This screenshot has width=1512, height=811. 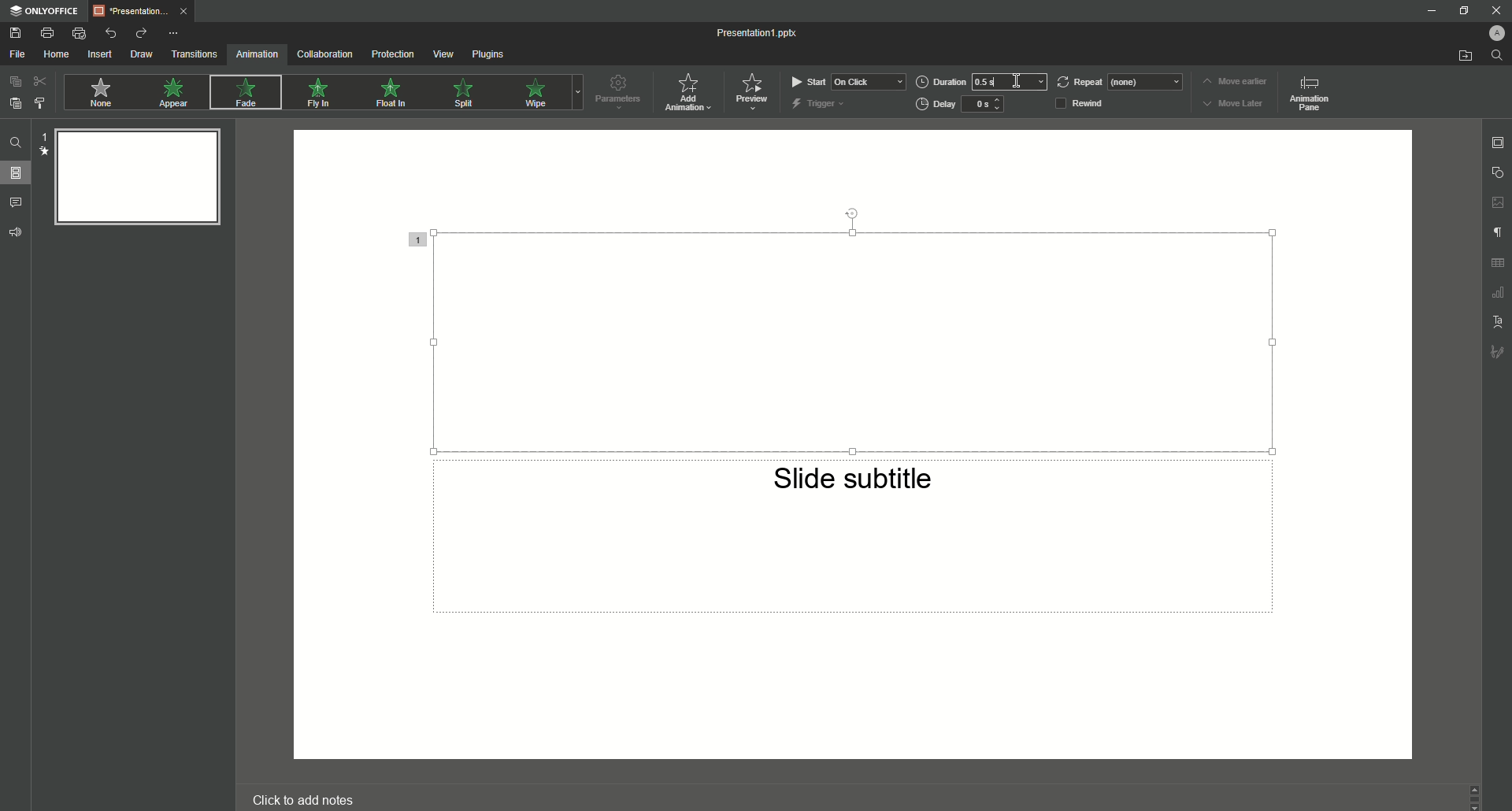 I want to click on Cursor, so click(x=1018, y=81).